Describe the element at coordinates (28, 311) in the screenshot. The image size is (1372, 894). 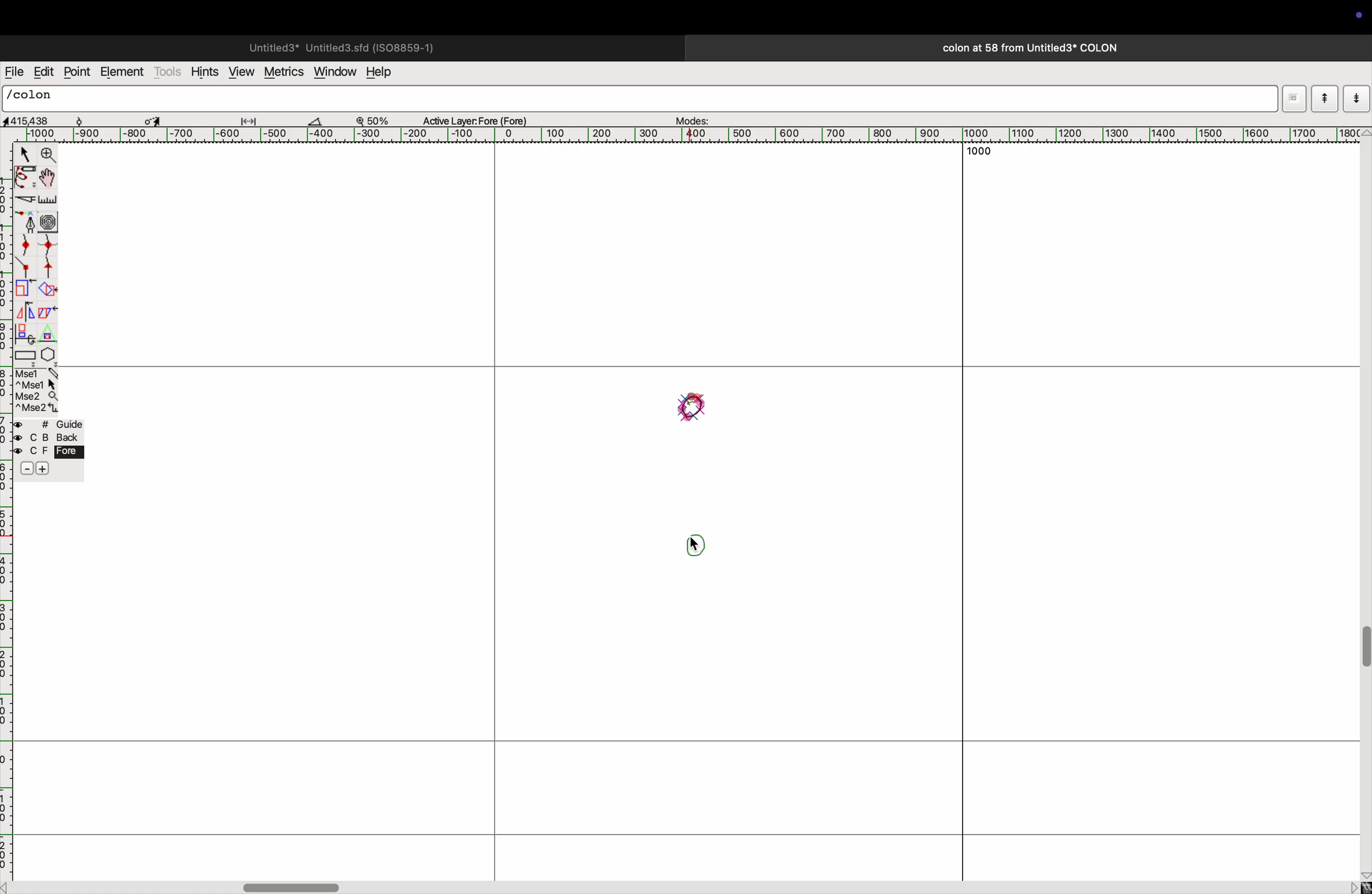
I see `mirror` at that location.